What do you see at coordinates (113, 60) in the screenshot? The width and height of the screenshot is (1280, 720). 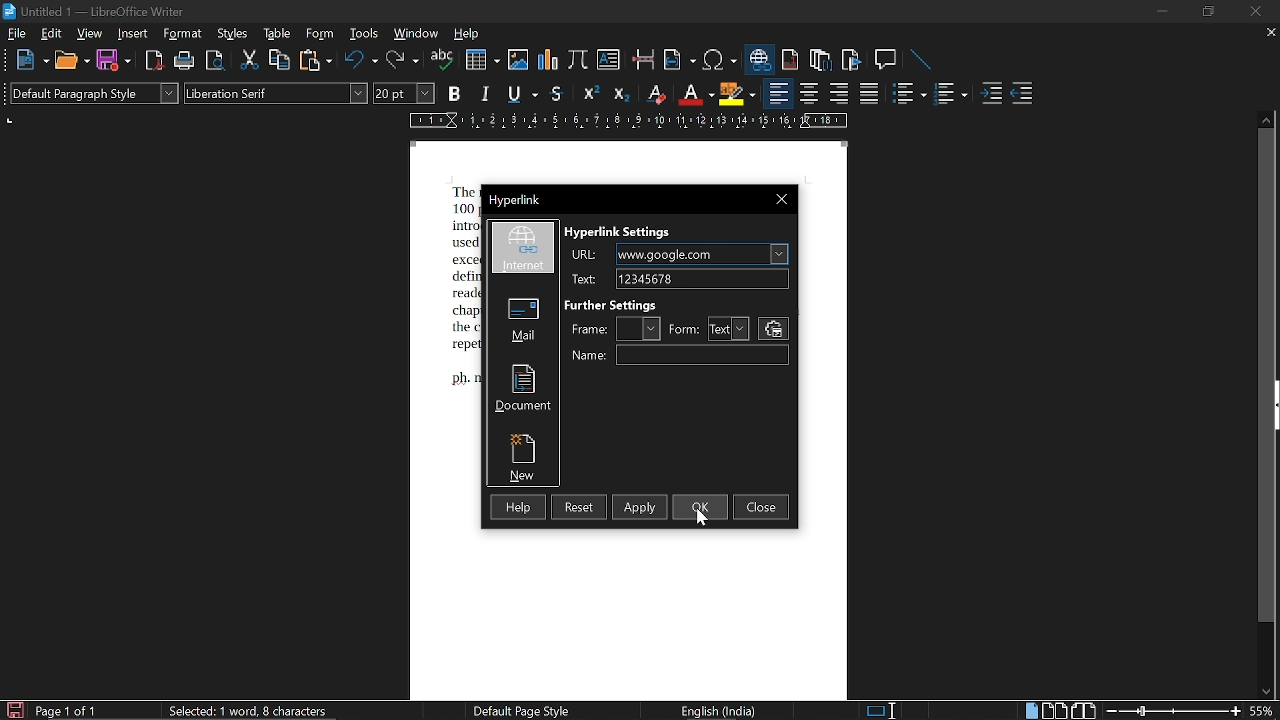 I see `save` at bounding box center [113, 60].